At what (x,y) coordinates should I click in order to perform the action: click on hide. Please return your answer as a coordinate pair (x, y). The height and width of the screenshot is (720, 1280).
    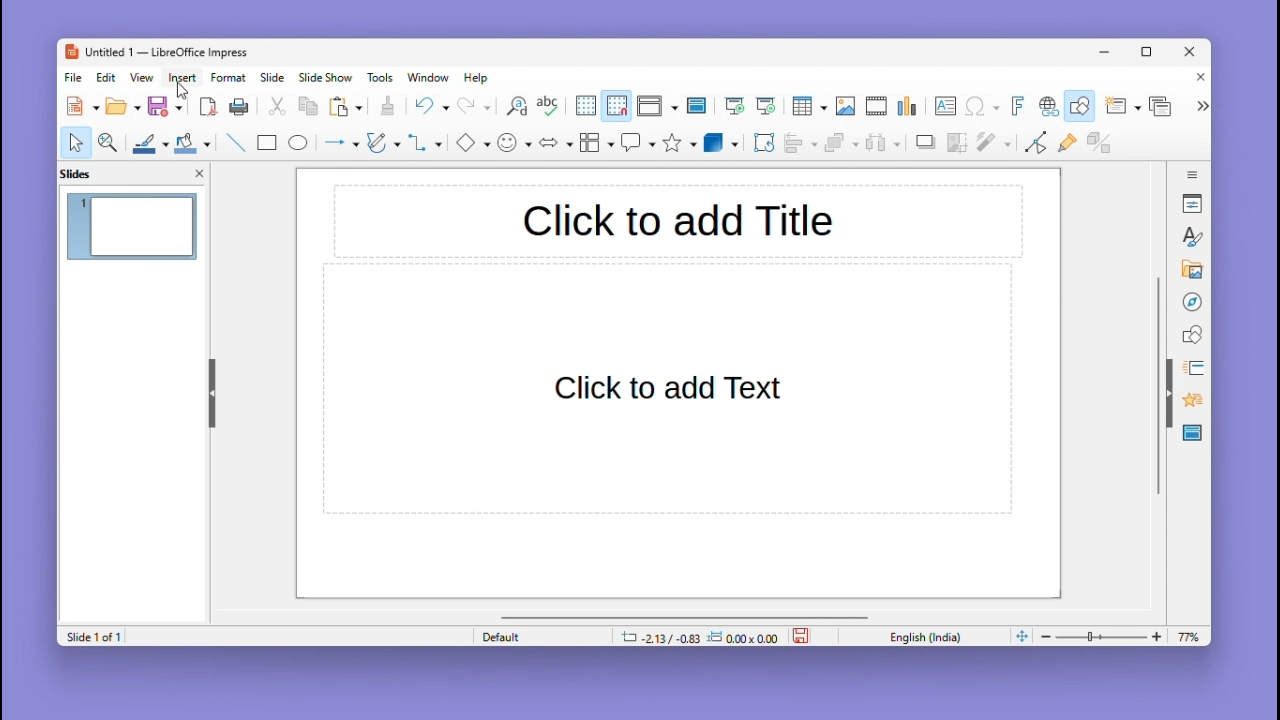
    Looking at the image, I should click on (210, 389).